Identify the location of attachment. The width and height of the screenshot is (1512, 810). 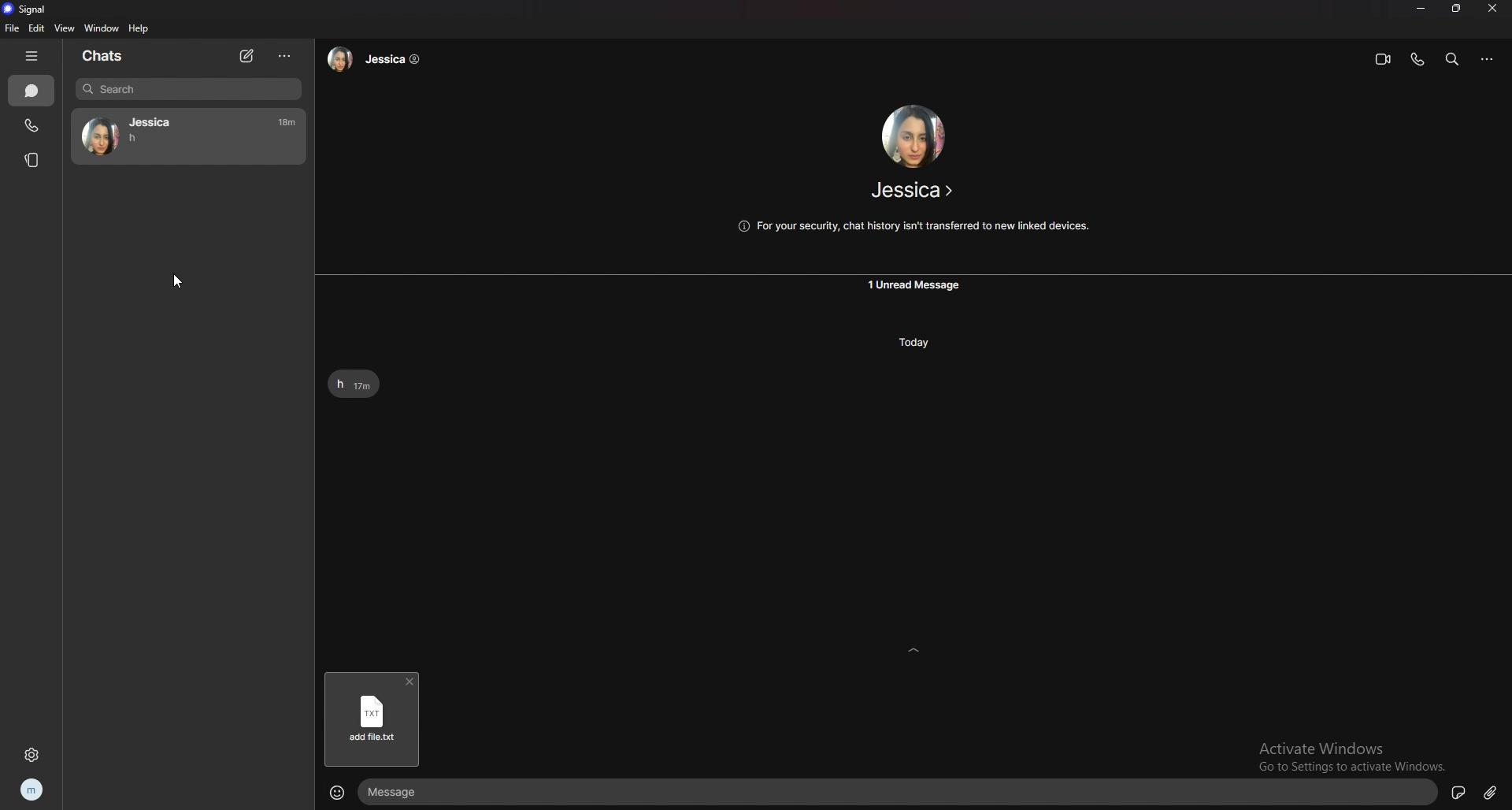
(1490, 793).